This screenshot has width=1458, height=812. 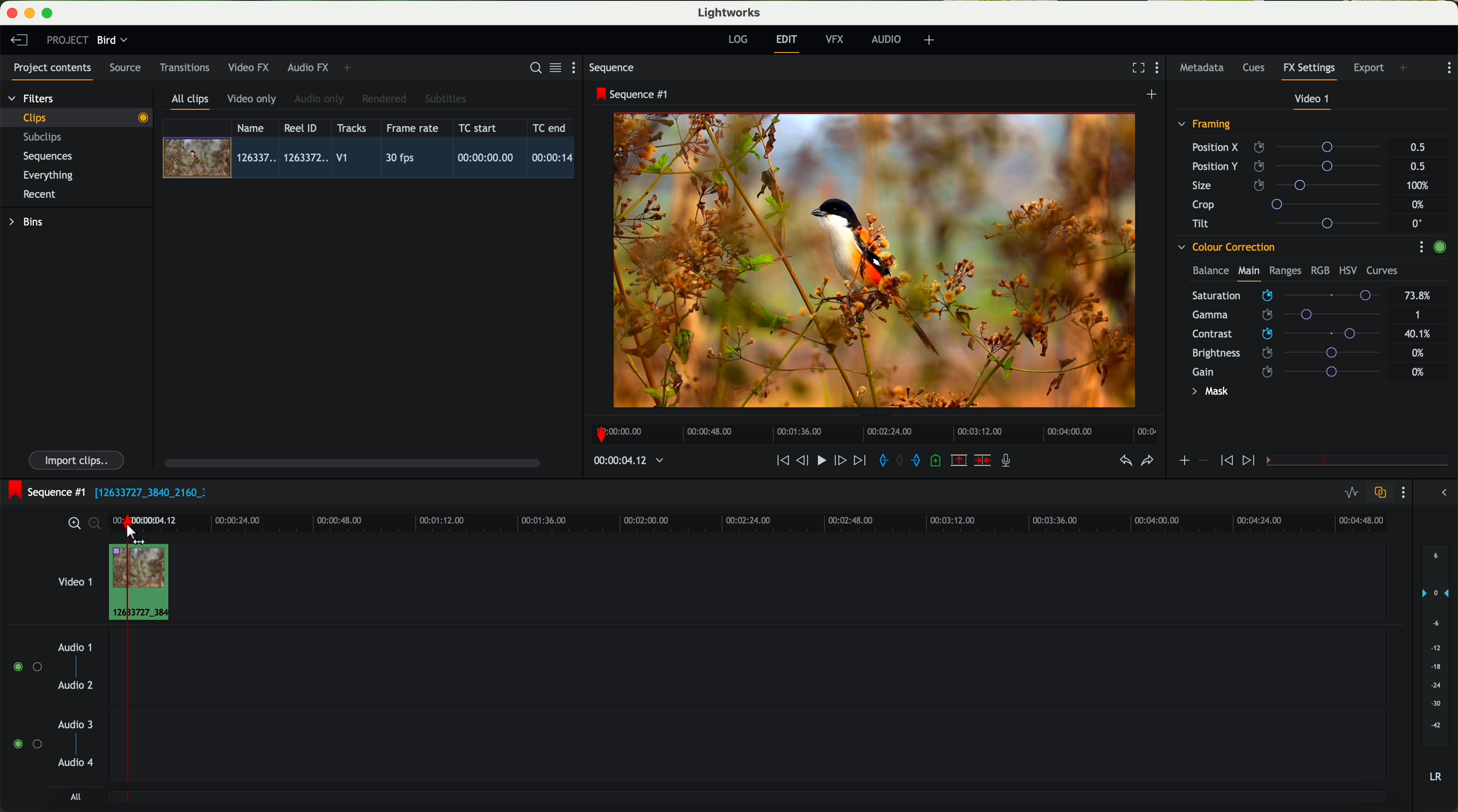 I want to click on rewind, so click(x=782, y=461).